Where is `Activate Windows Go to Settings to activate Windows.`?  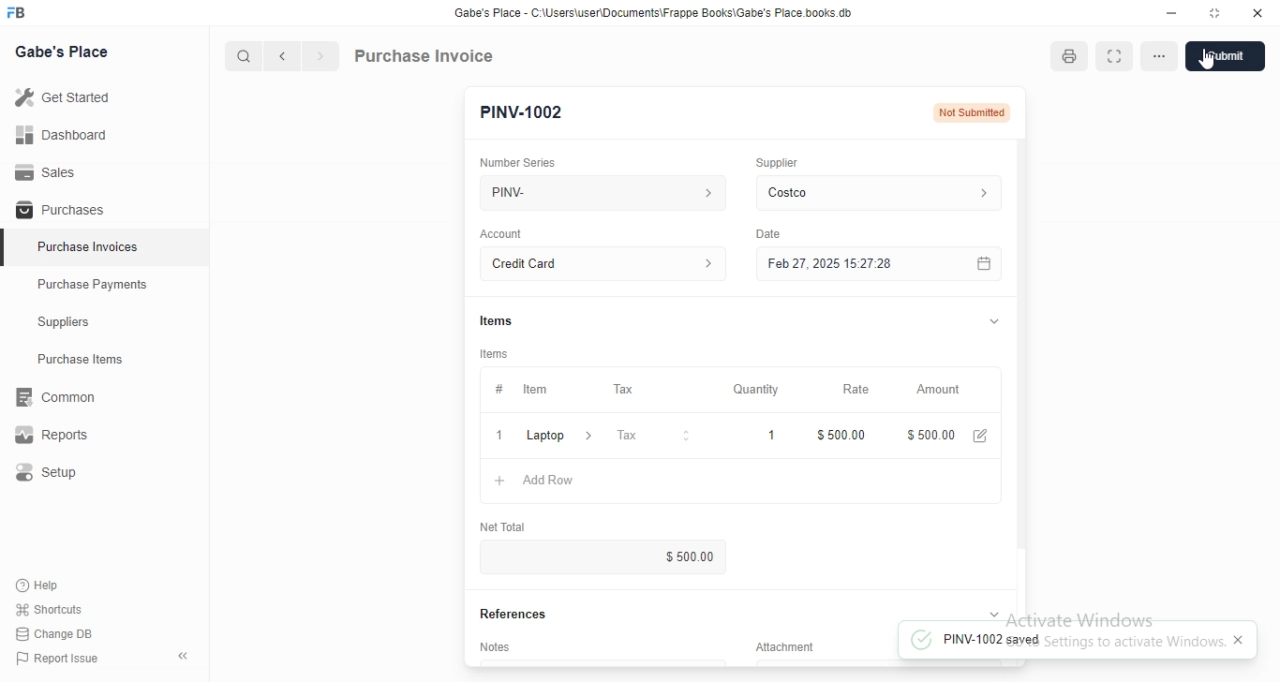 Activate Windows Go to Settings to activate Windows. is located at coordinates (1117, 614).